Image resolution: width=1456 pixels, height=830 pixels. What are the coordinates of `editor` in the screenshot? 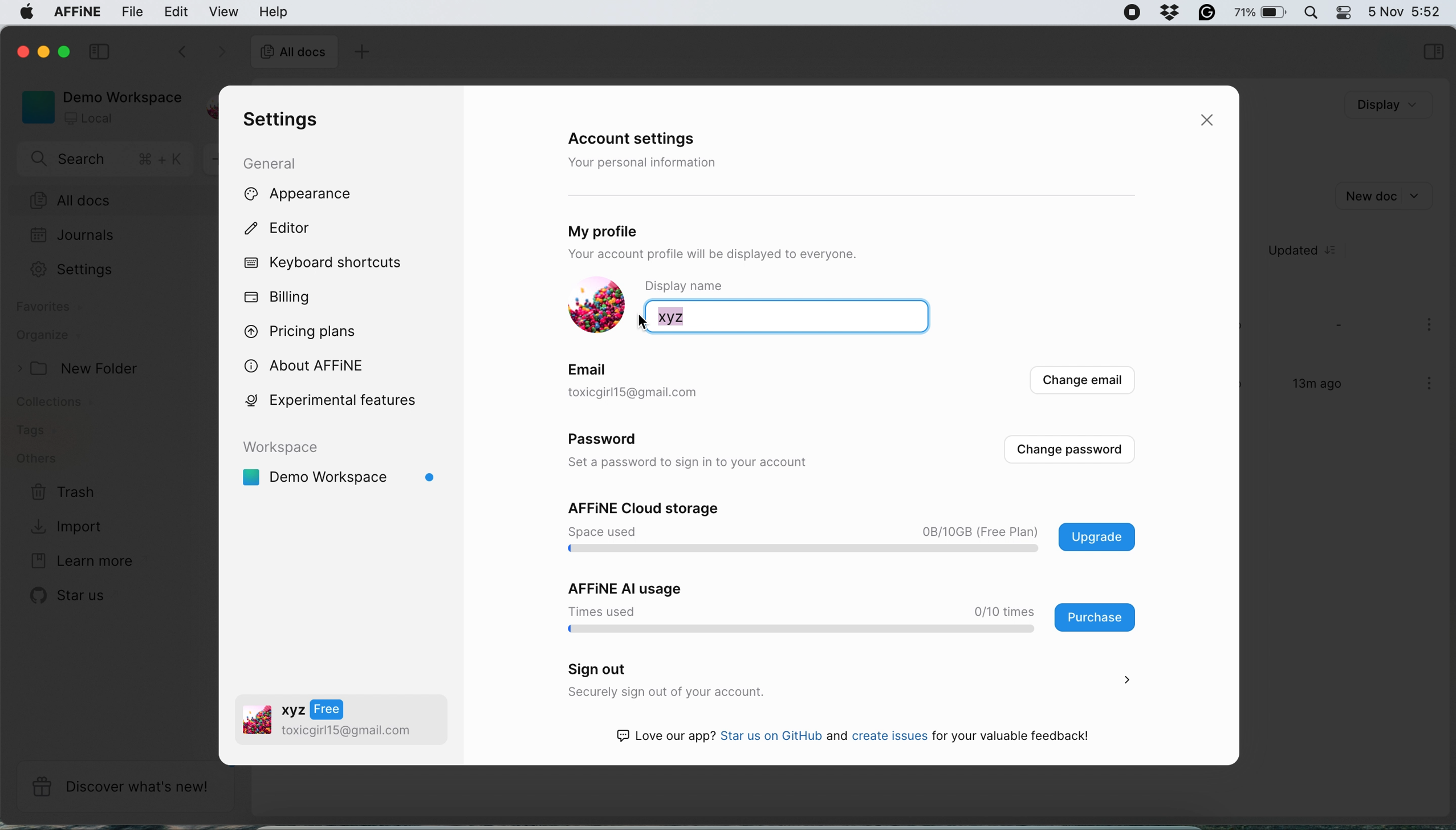 It's located at (289, 230).